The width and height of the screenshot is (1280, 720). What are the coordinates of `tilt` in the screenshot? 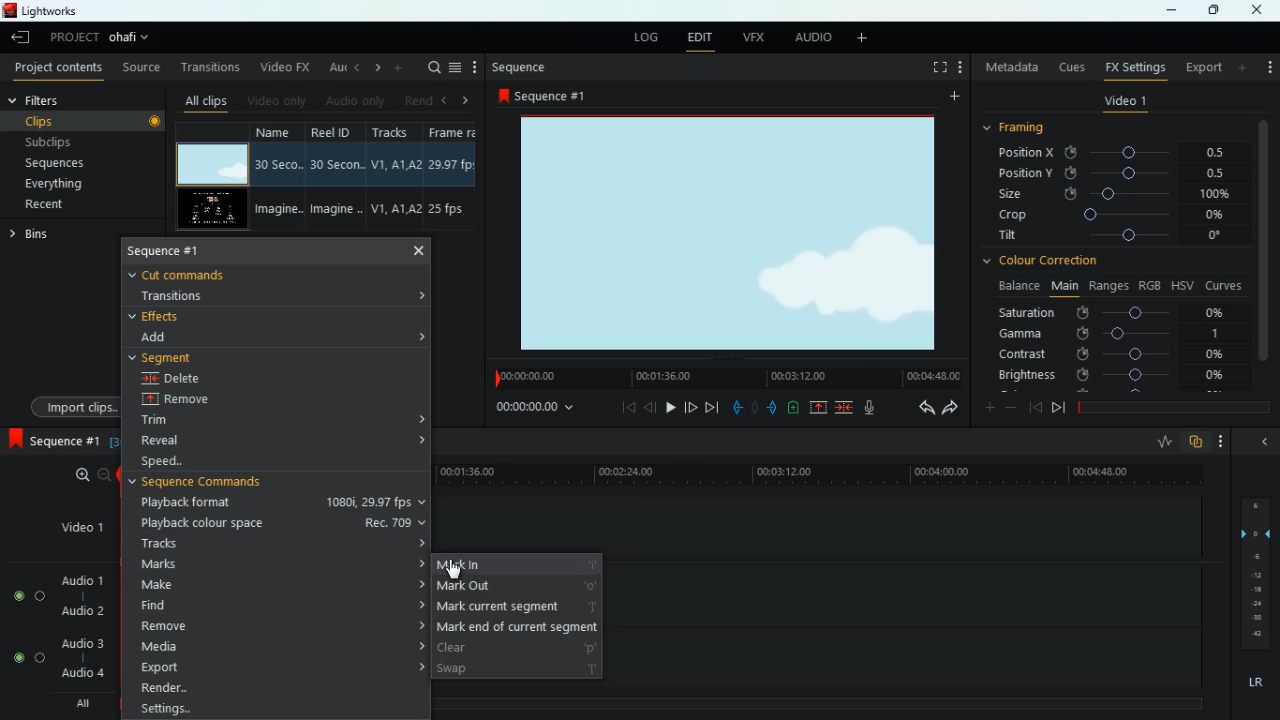 It's located at (1112, 238).